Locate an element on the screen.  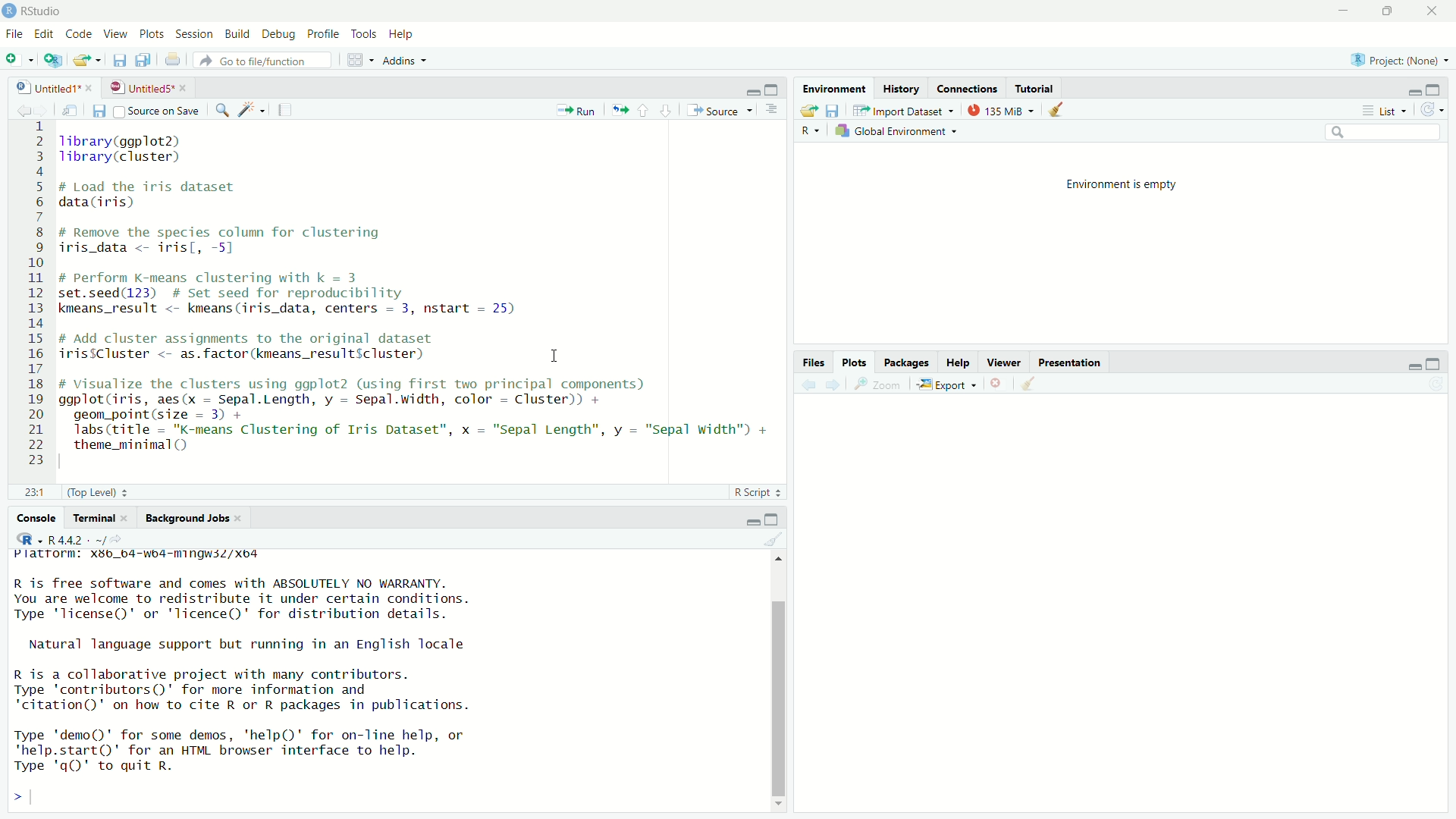
maximize is located at coordinates (1385, 11).